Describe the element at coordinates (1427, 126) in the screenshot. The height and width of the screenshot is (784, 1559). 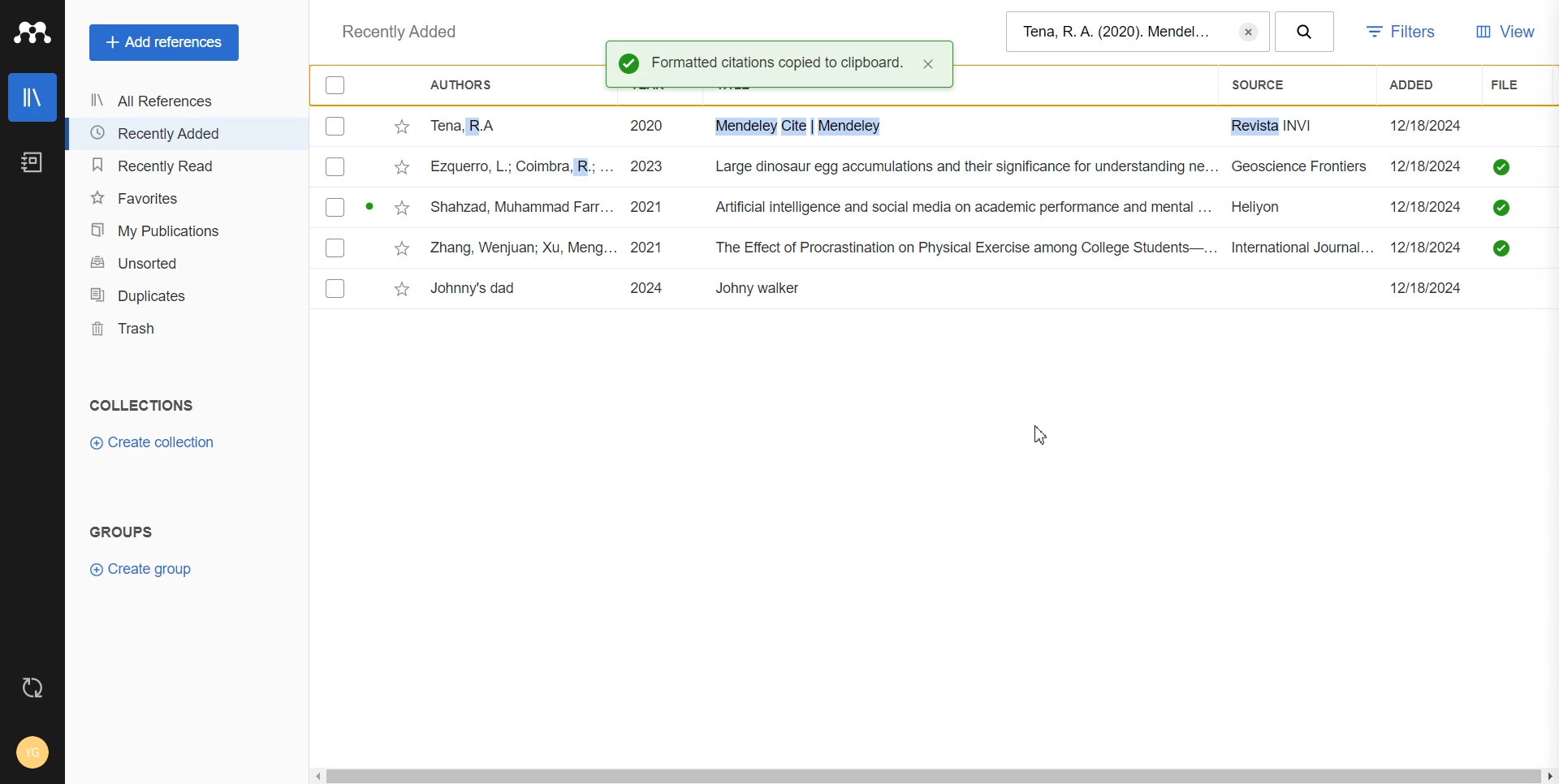
I see `12/18/2024` at that location.